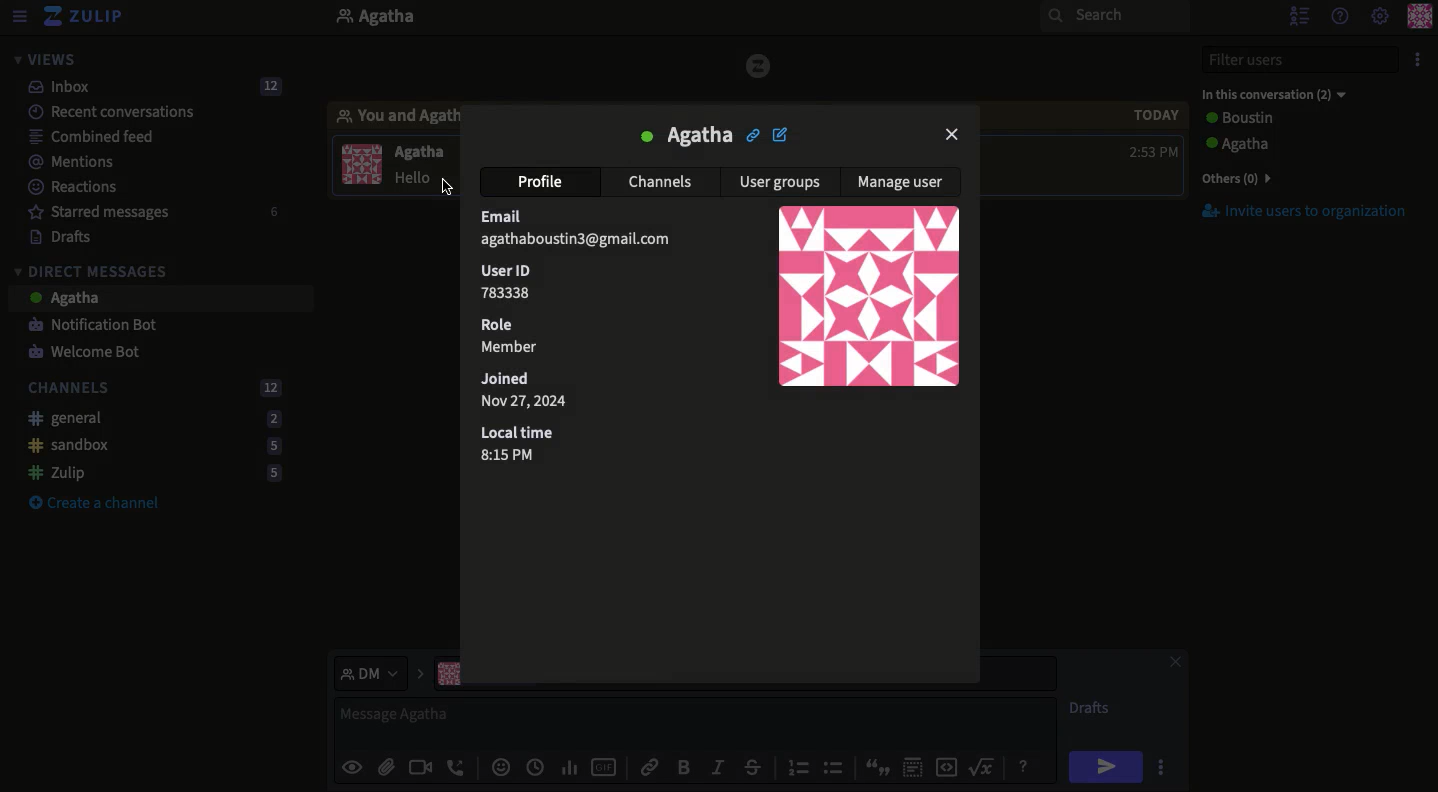 This screenshot has height=792, width=1438. Describe the element at coordinates (760, 66) in the screenshot. I see `icon` at that location.